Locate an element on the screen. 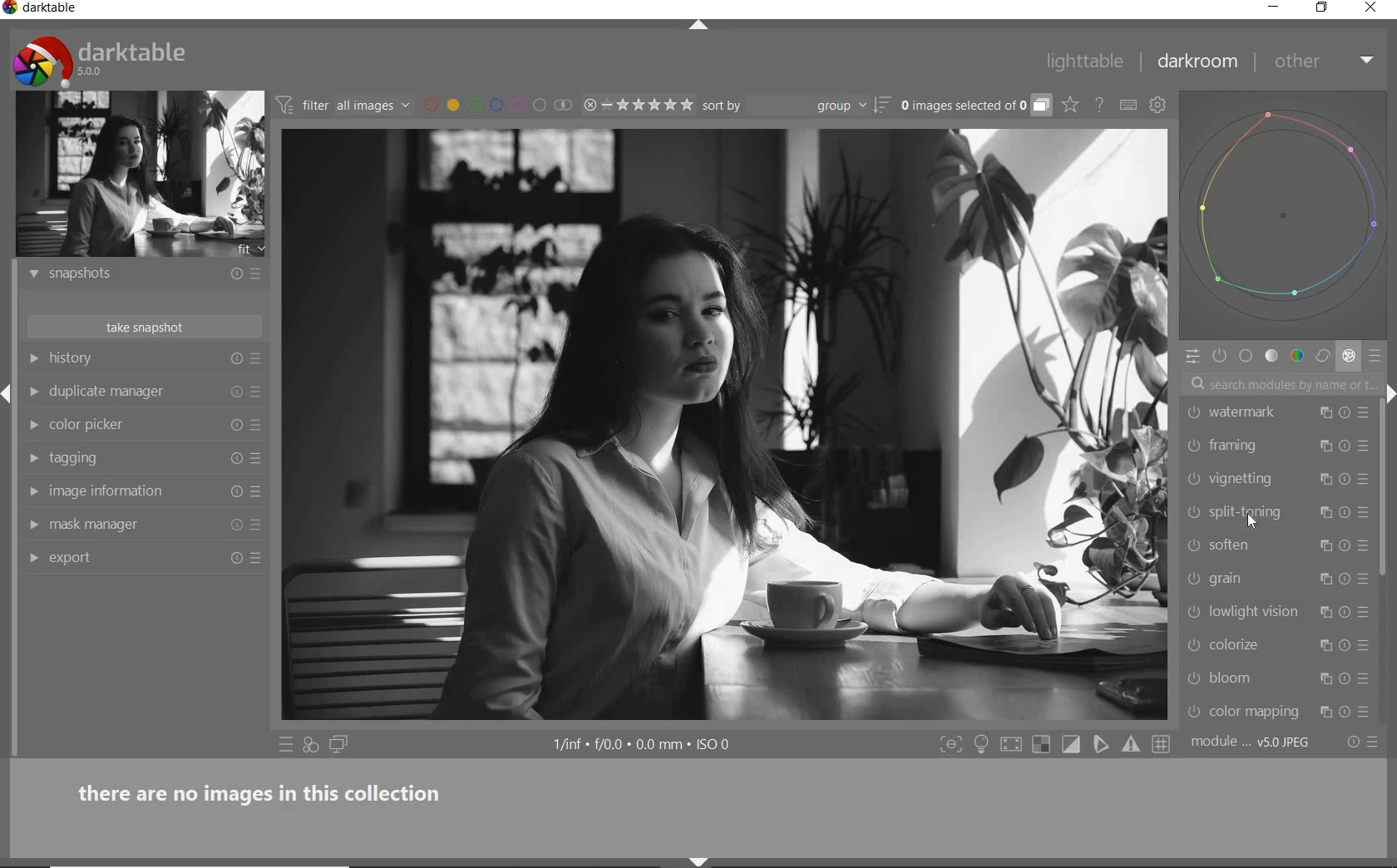 Image resolution: width=1397 pixels, height=868 pixels. image information is located at coordinates (132, 491).